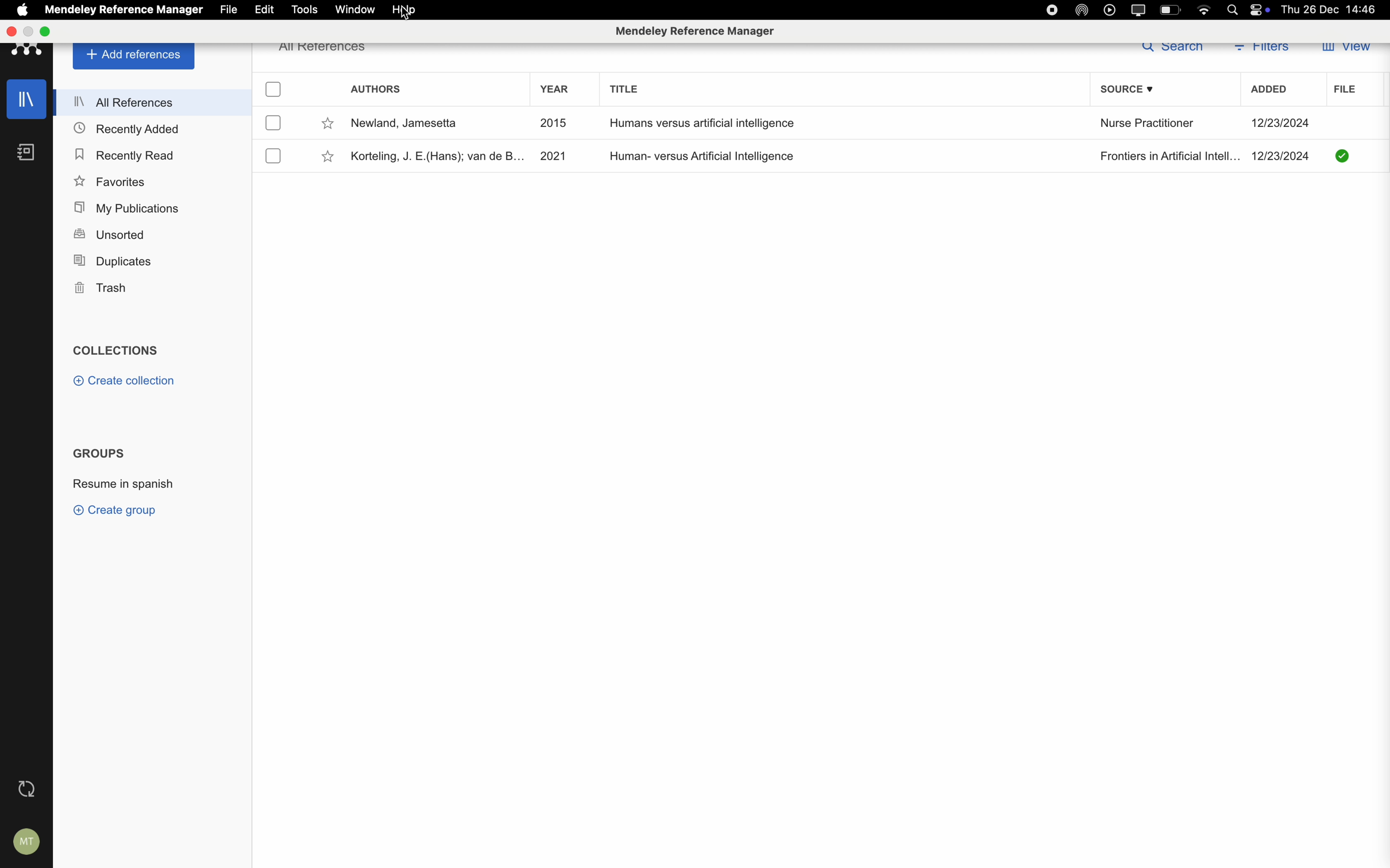 The width and height of the screenshot is (1390, 868). I want to click on 12/23/2024, so click(1285, 158).